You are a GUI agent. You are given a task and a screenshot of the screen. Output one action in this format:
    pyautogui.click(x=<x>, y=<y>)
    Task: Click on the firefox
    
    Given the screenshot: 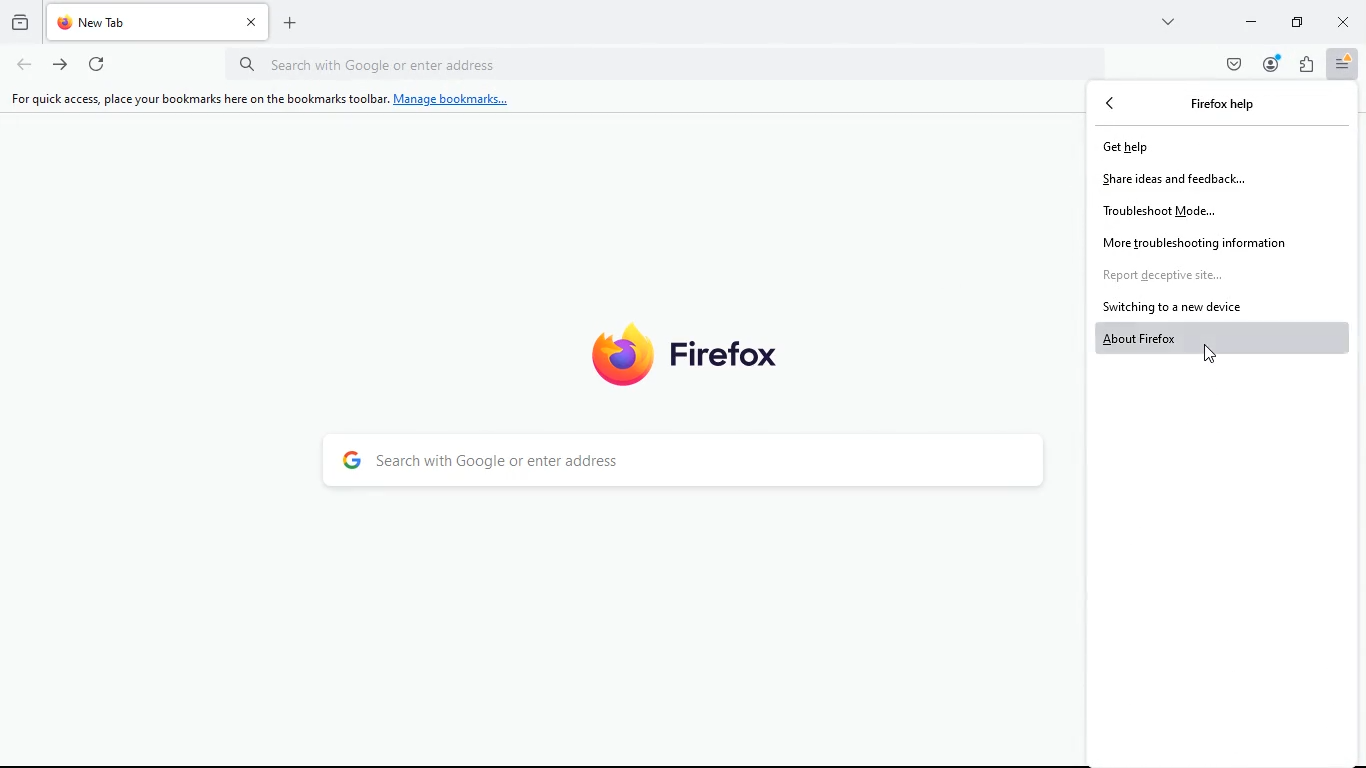 What is the action you would take?
    pyautogui.click(x=685, y=352)
    